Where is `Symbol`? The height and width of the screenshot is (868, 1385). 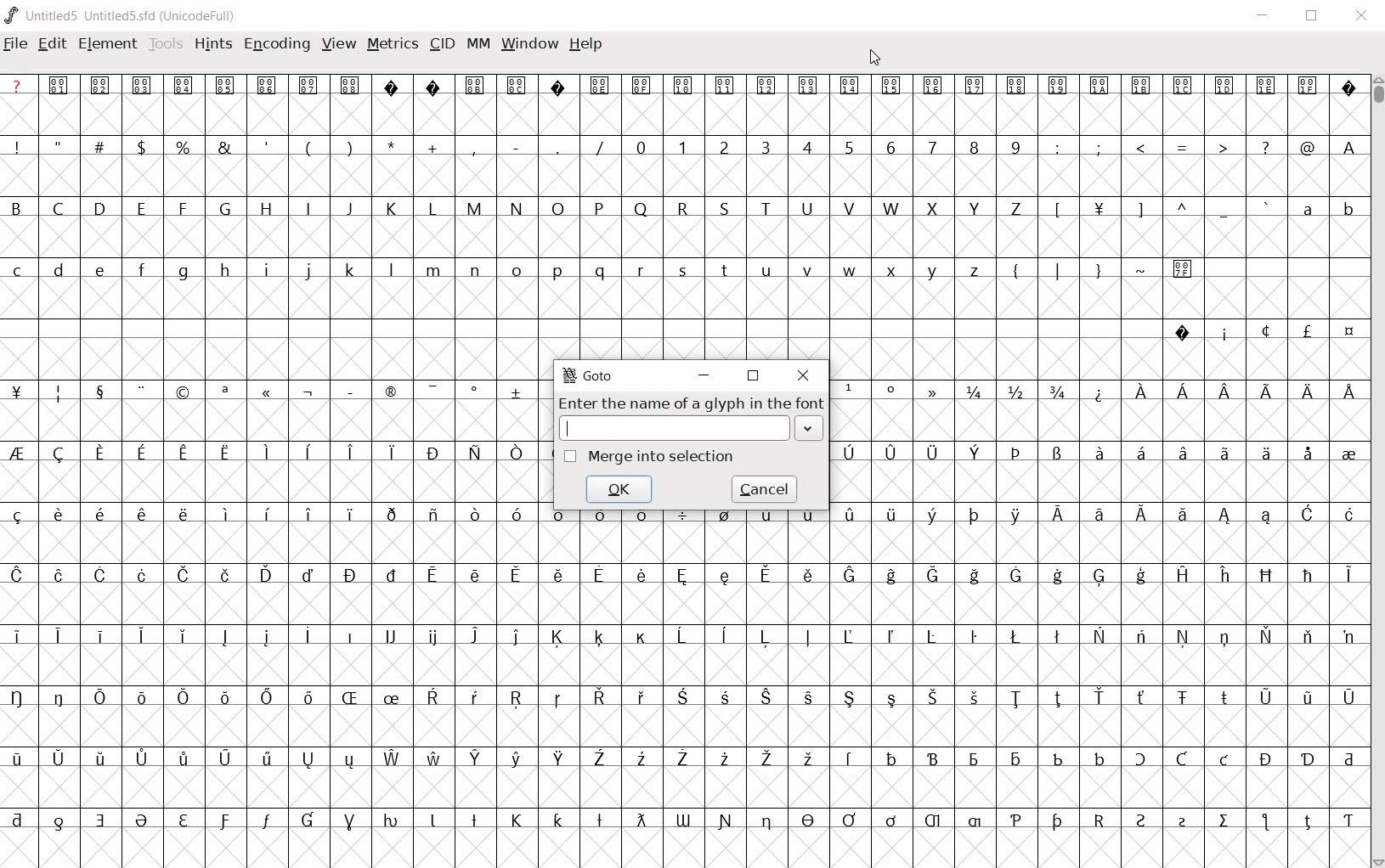
Symbol is located at coordinates (808, 517).